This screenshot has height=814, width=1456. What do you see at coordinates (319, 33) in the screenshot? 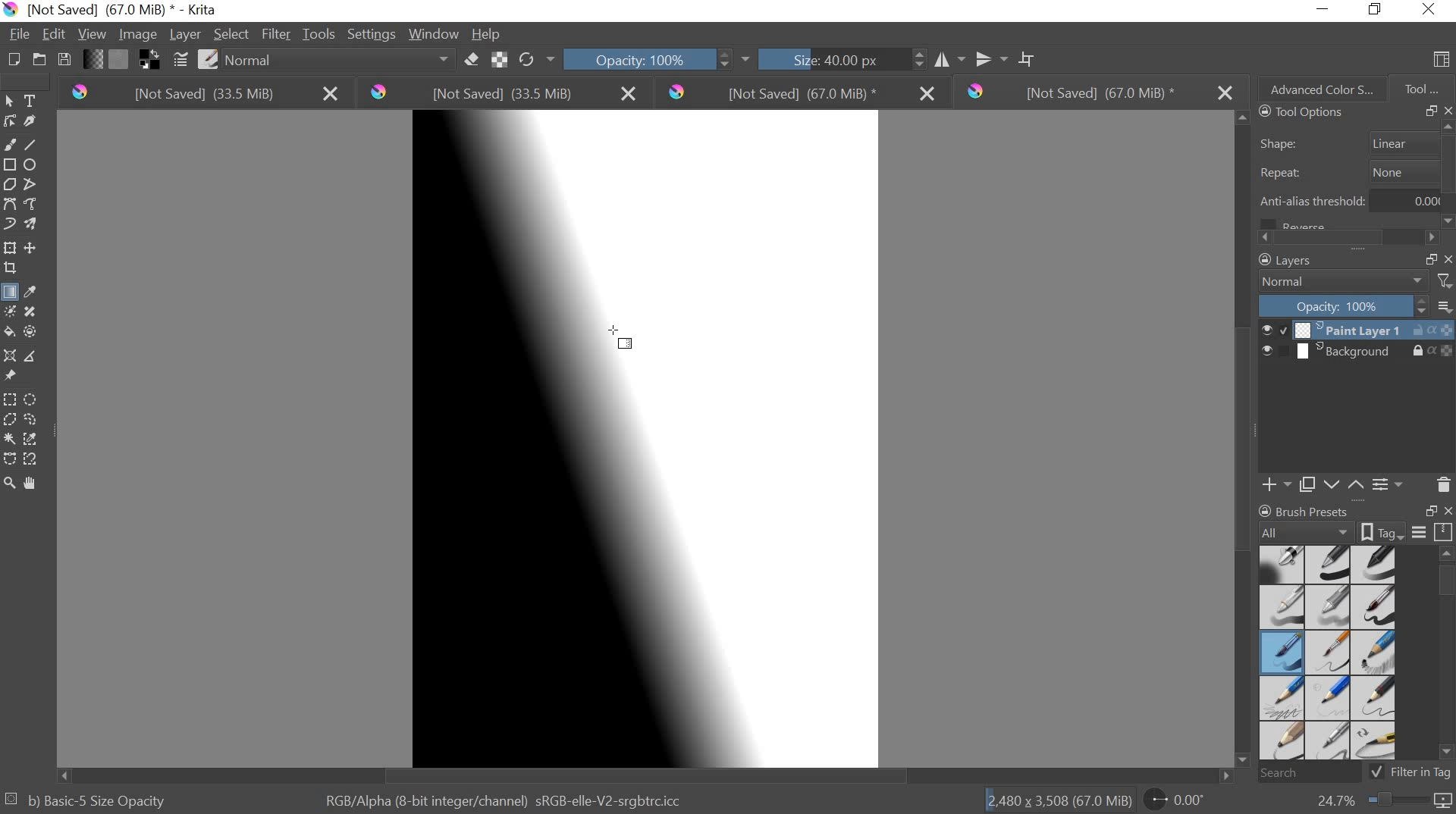
I see `TOOLS` at bounding box center [319, 33].